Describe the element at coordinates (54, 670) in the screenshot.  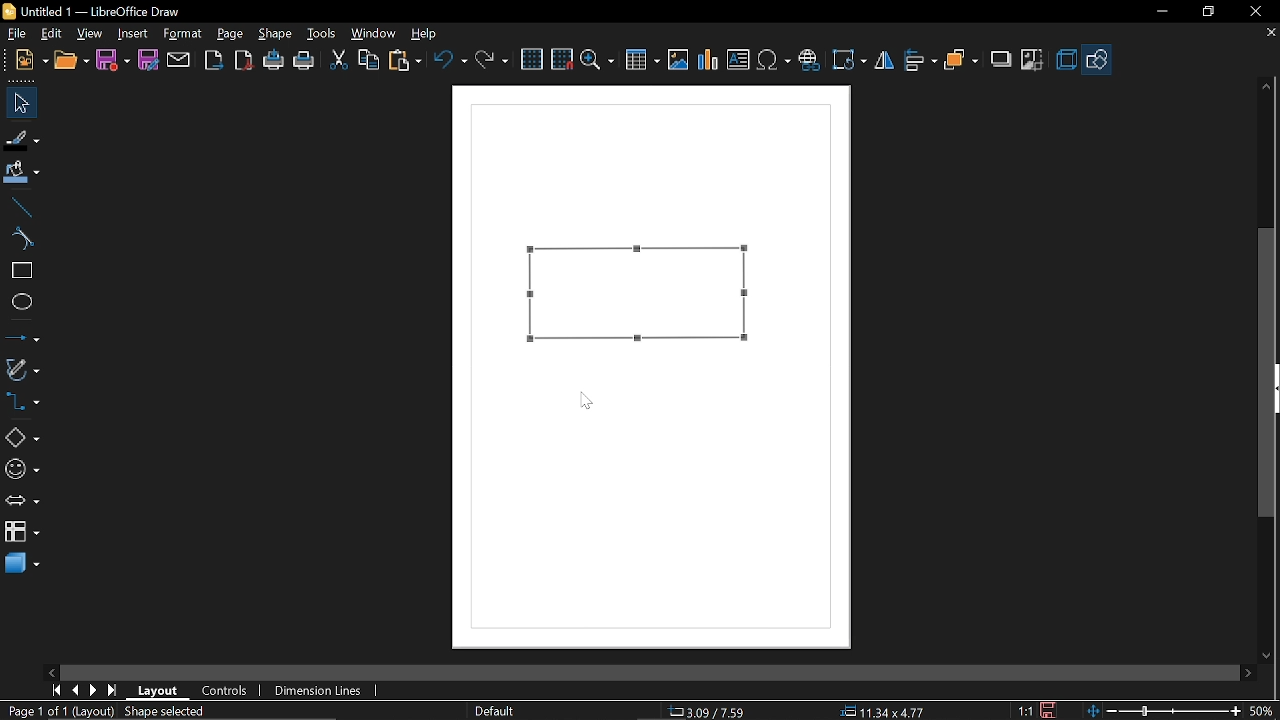
I see `Move left` at that location.